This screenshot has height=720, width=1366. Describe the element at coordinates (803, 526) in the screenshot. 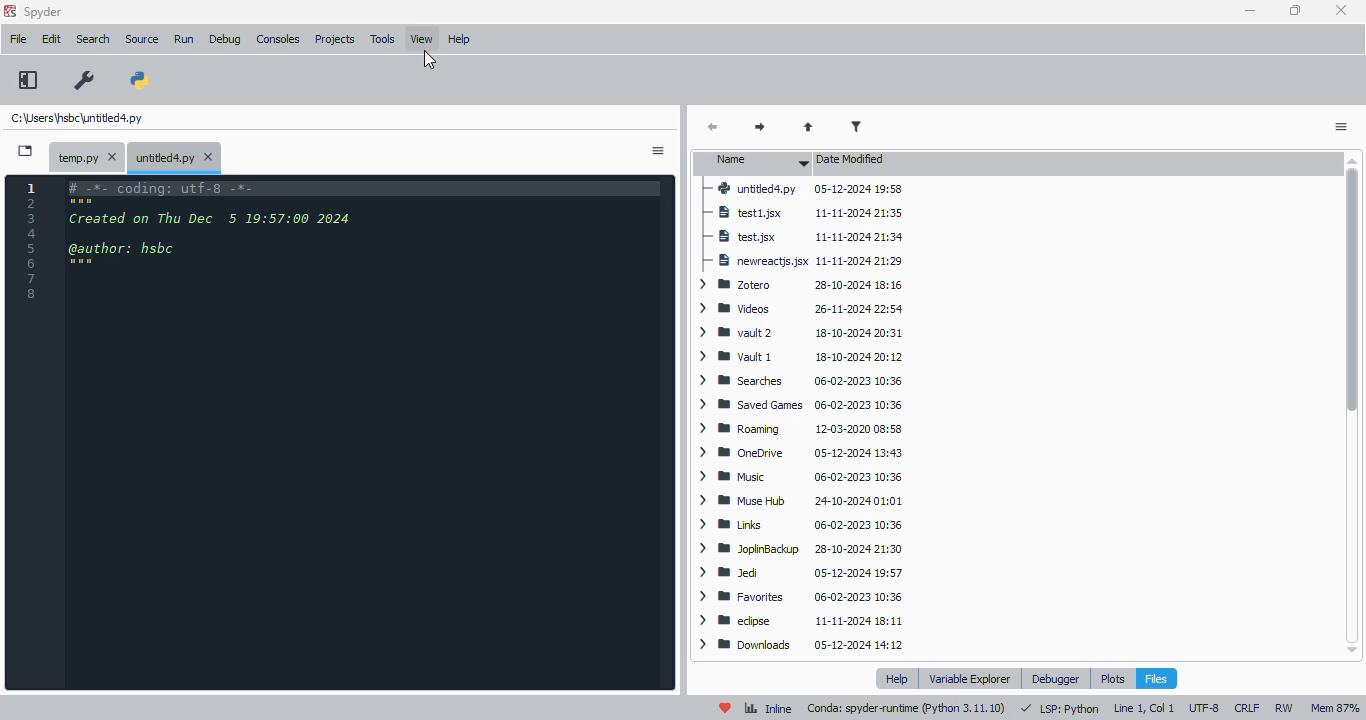

I see `Links` at that location.